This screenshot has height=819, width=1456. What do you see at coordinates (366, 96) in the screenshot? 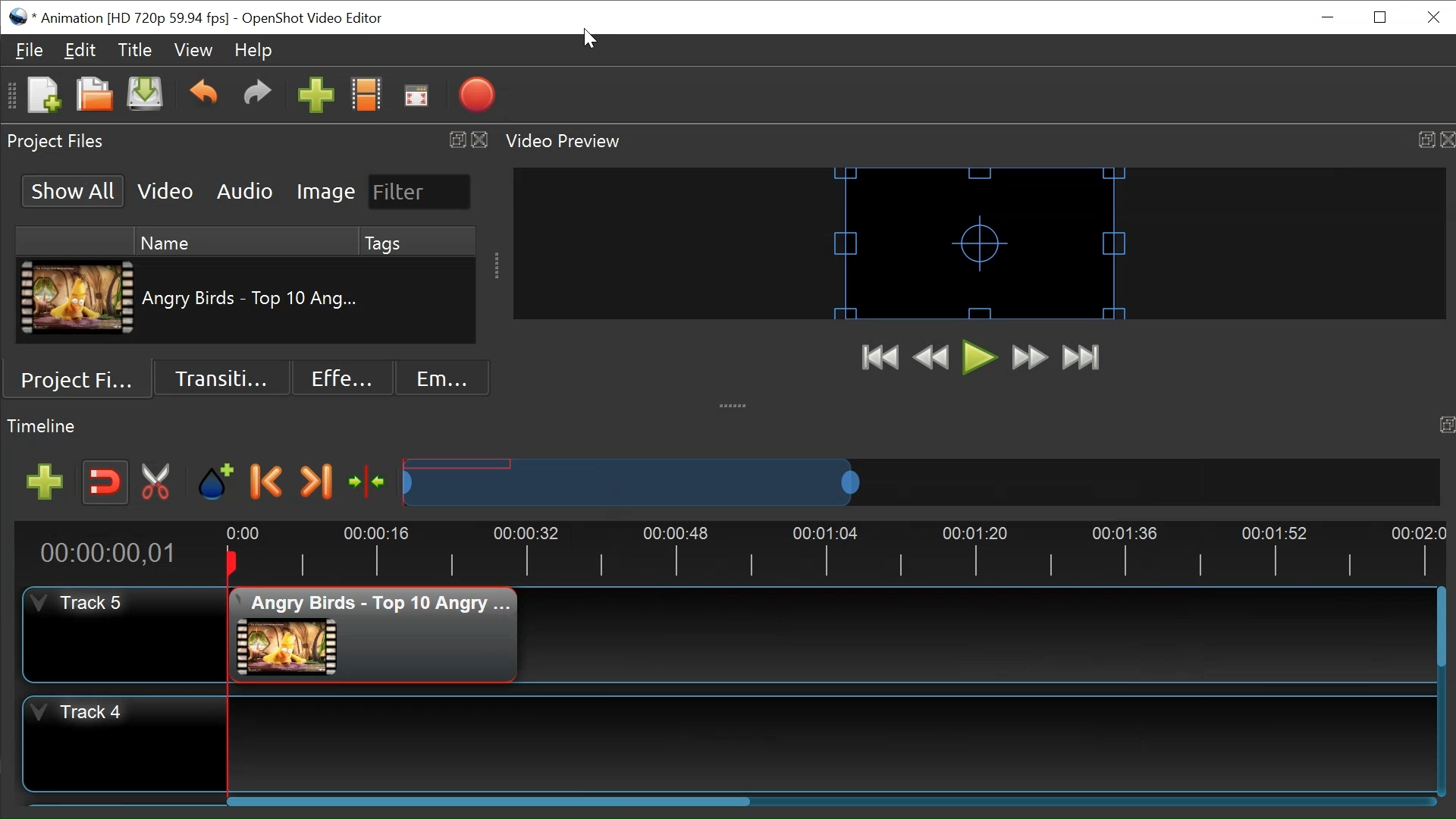
I see `Choose Files` at bounding box center [366, 96].